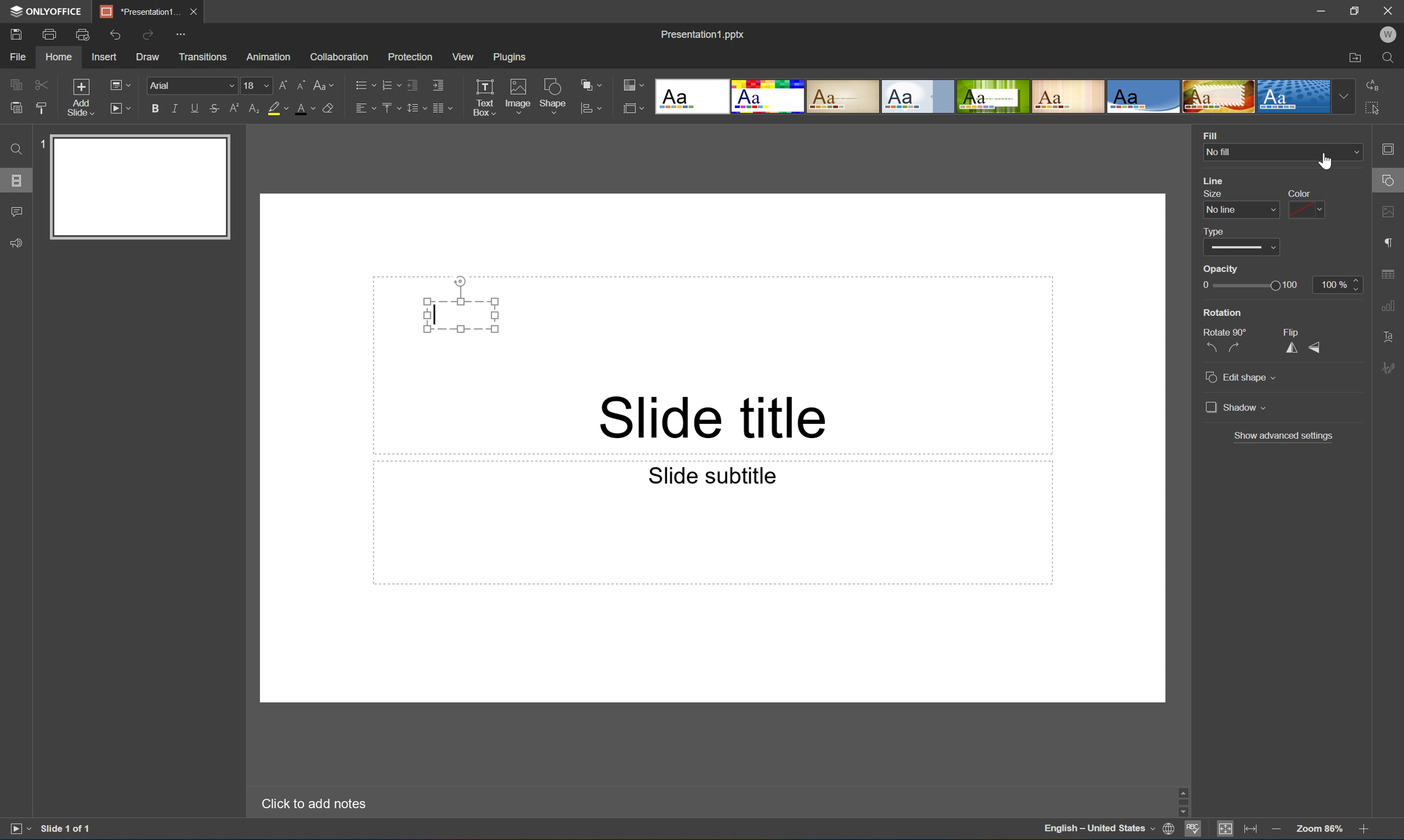  I want to click on Color, so click(1308, 211).